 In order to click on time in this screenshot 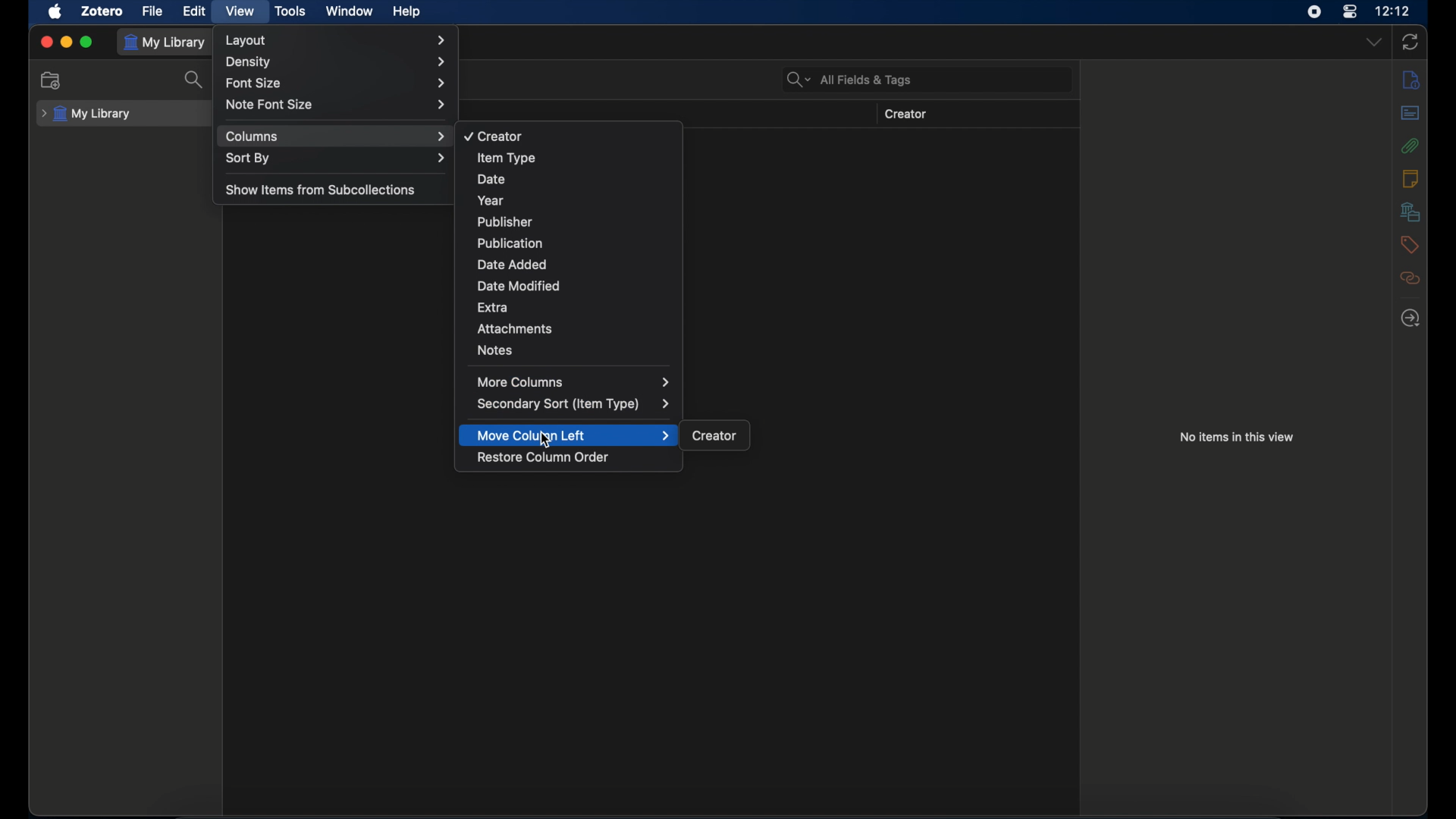, I will do `click(1393, 10)`.